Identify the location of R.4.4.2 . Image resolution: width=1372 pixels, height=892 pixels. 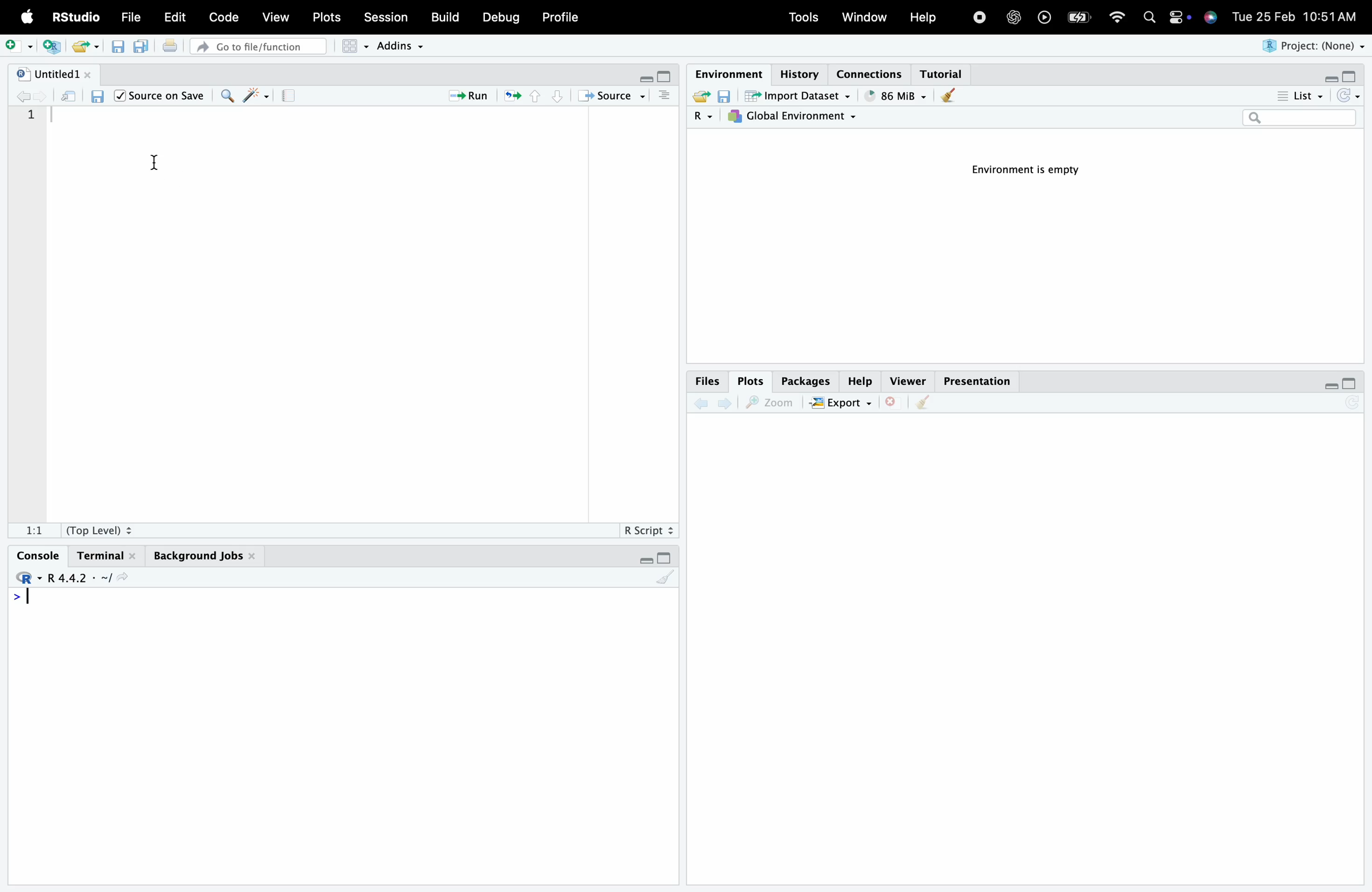
(69, 578).